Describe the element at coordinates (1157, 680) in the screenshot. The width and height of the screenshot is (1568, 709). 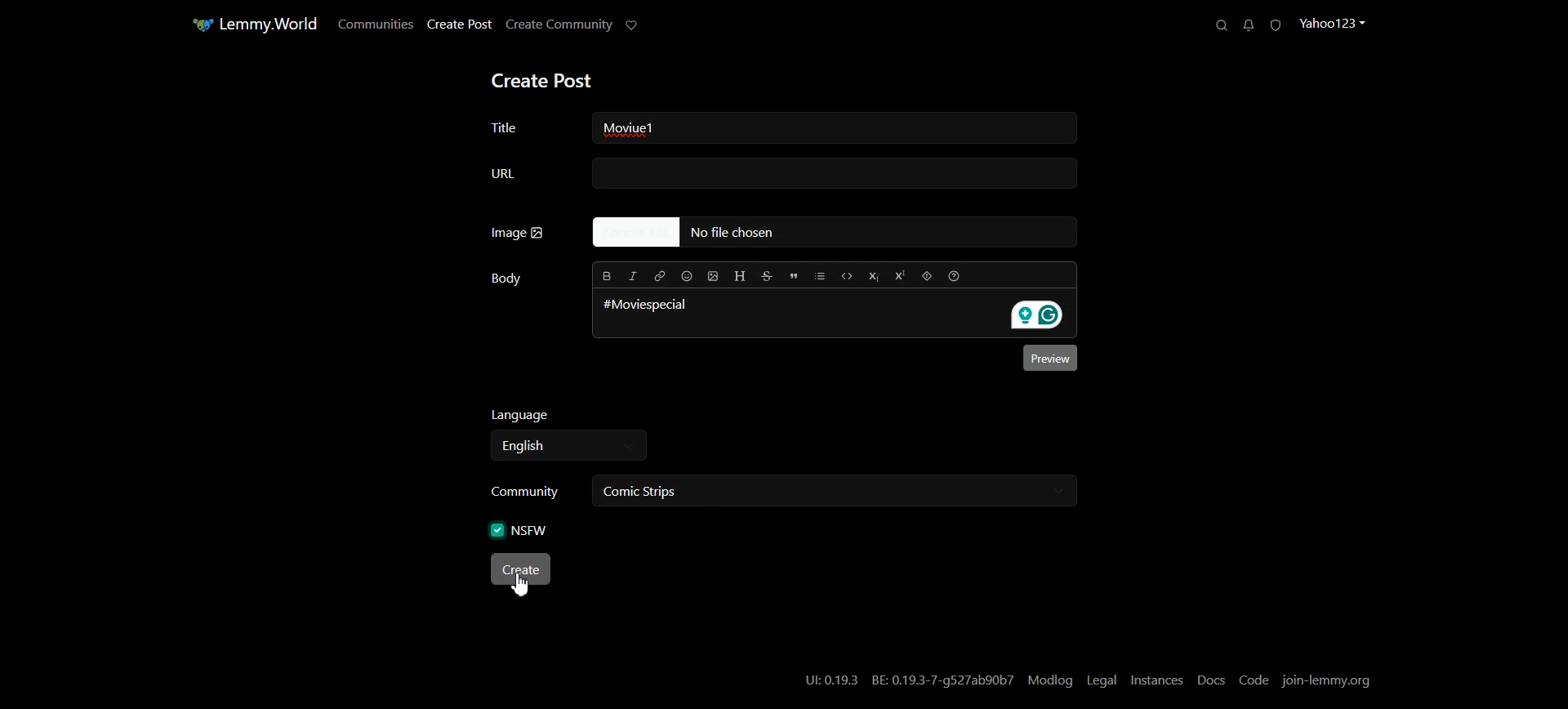
I see `Instances` at that location.